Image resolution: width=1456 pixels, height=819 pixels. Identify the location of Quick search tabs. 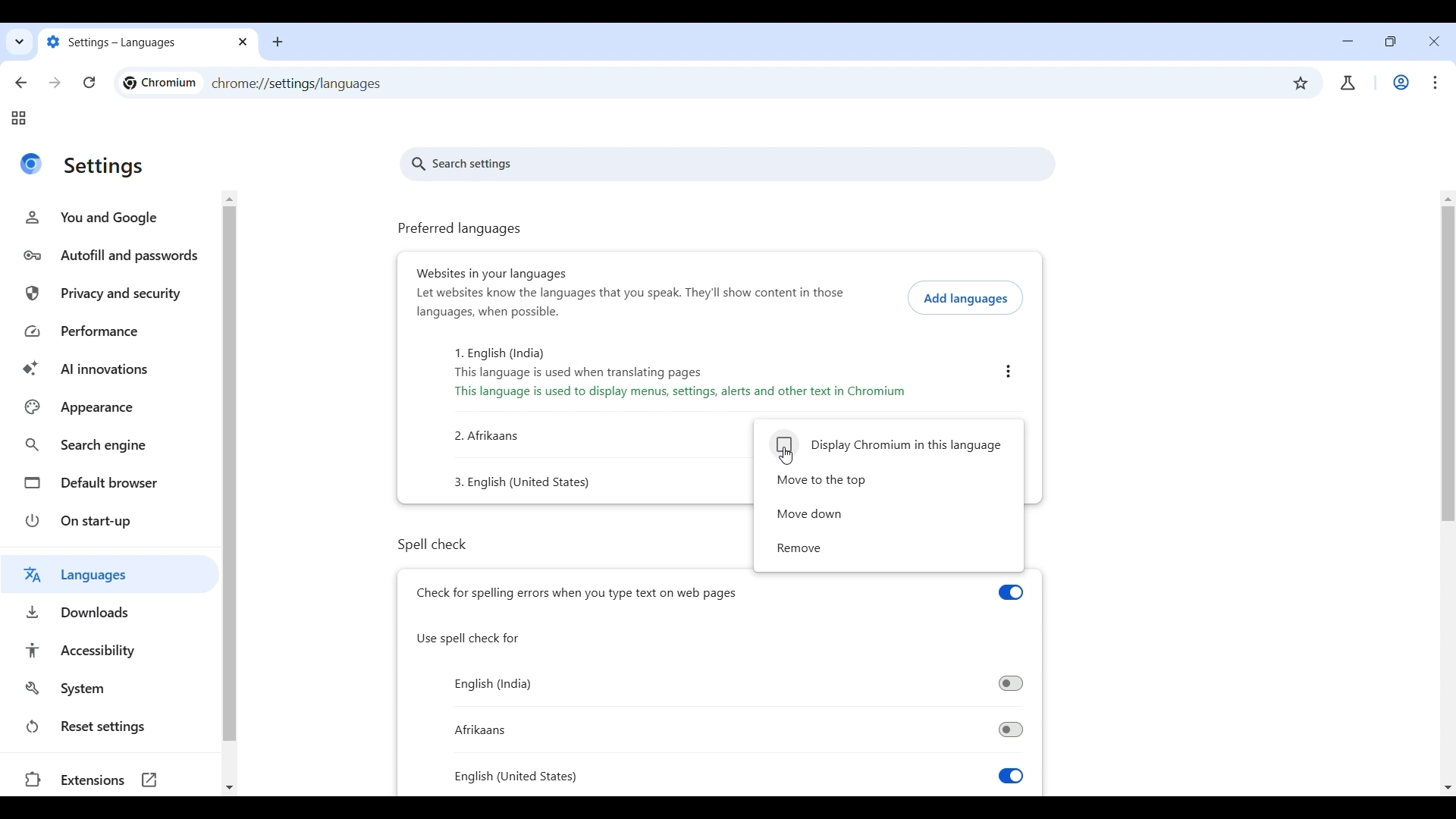
(18, 44).